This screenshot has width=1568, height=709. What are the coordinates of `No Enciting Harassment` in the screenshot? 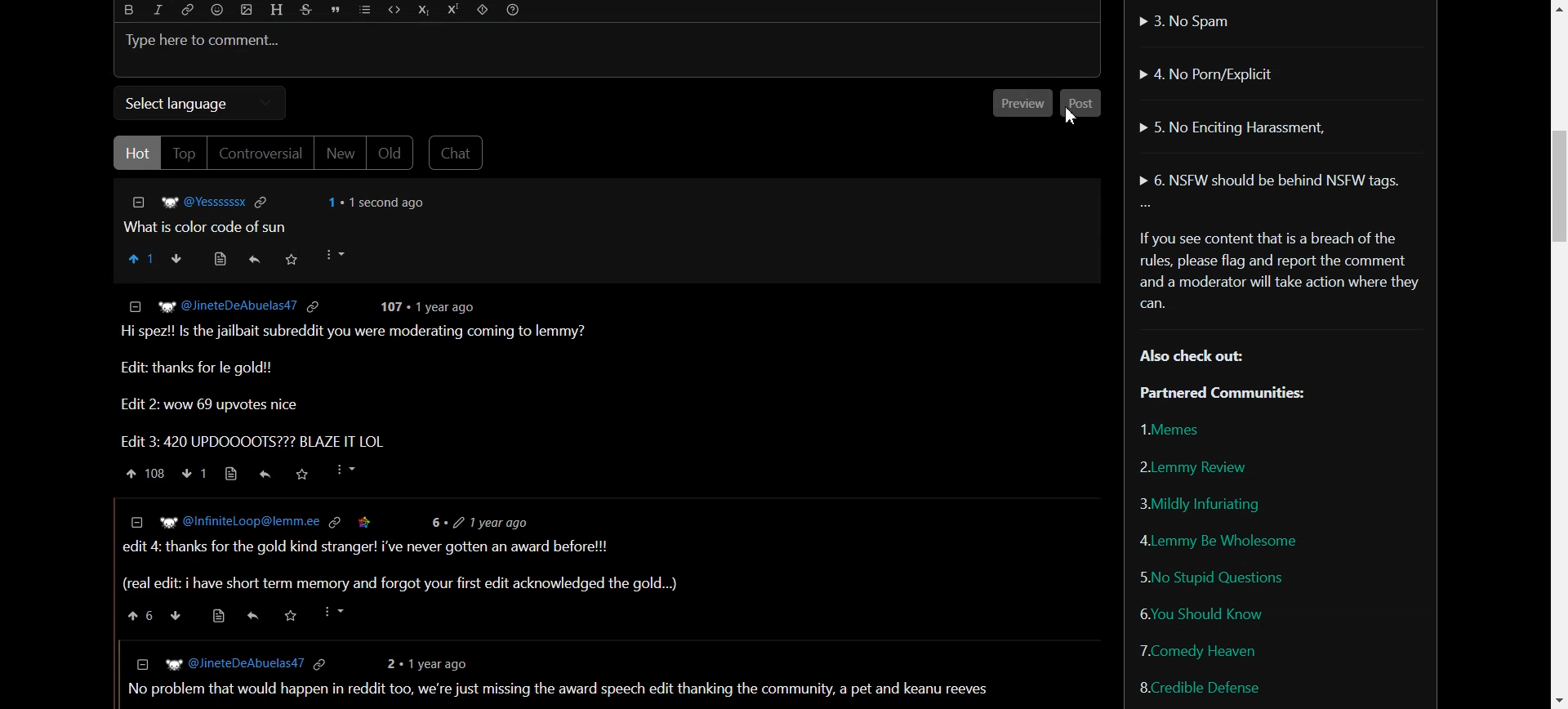 It's located at (1232, 125).